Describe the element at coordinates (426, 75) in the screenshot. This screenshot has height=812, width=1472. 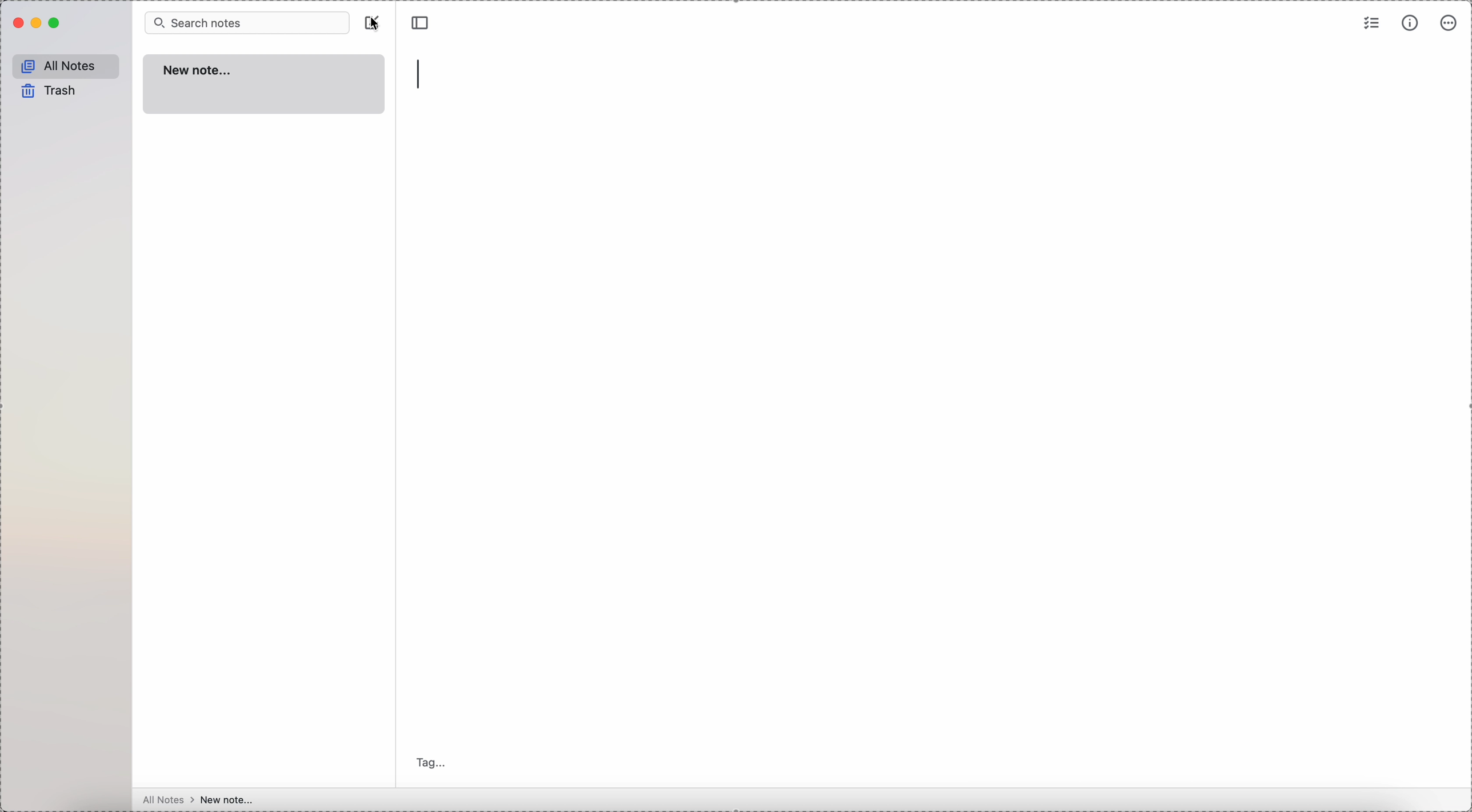
I see `typing title` at that location.